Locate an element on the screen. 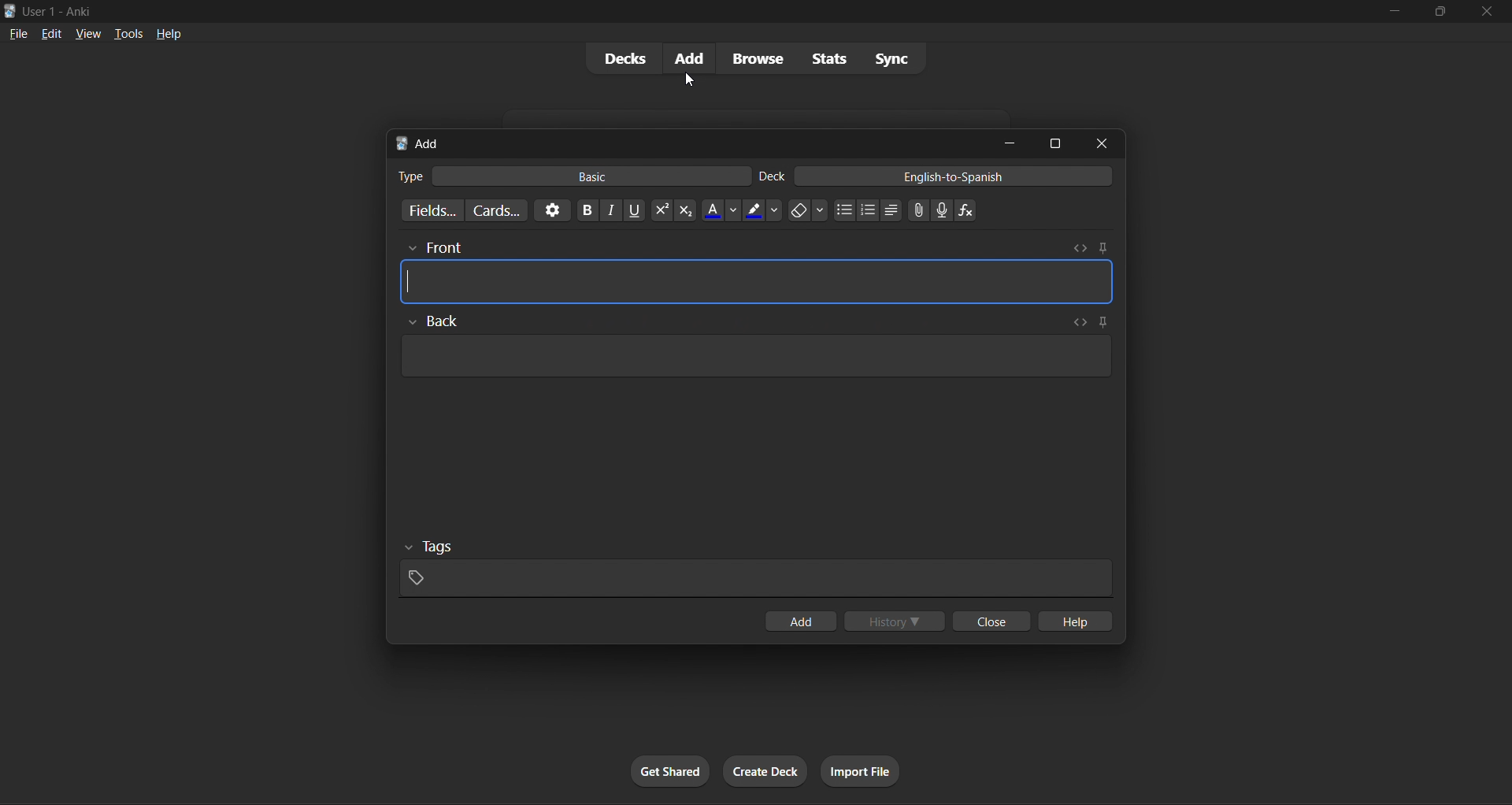 This screenshot has width=1512, height=805. cursor is located at coordinates (691, 78).